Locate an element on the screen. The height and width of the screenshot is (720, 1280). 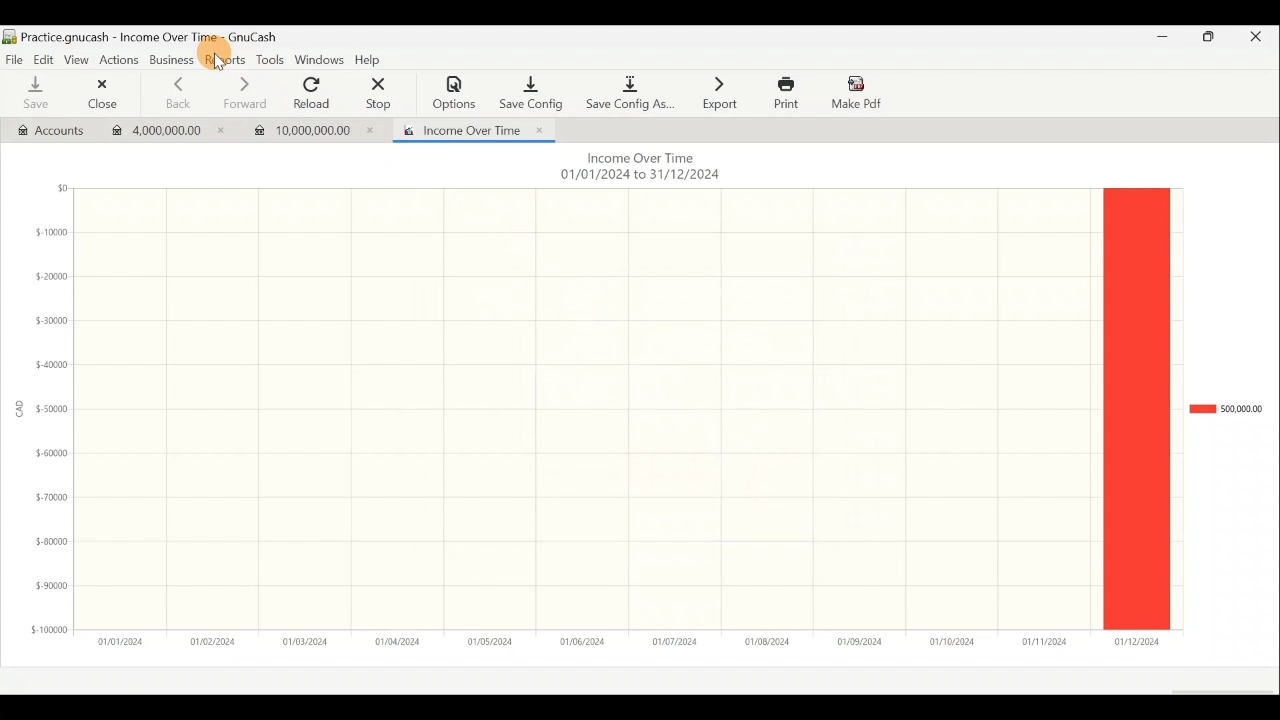
Save is located at coordinates (36, 93).